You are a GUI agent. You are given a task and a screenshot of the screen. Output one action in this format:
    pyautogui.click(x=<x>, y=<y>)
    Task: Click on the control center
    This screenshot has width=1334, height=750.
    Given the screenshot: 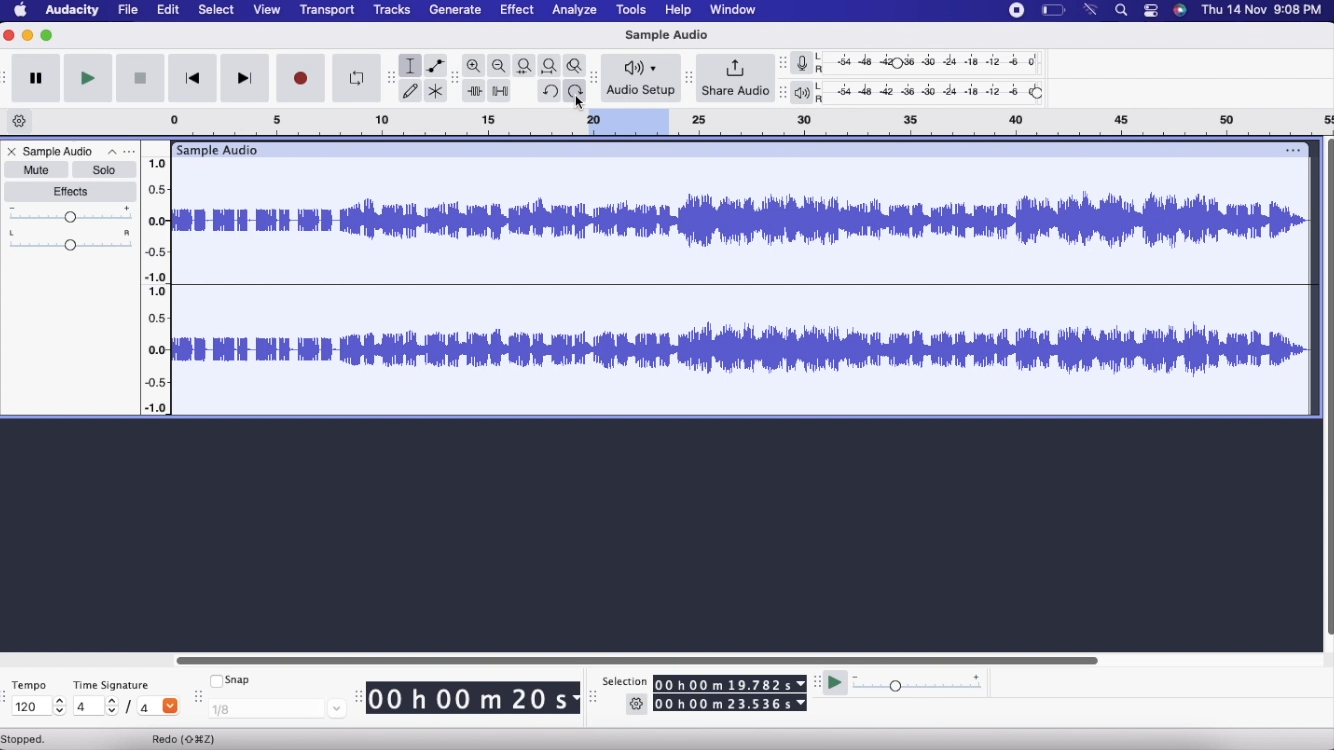 What is the action you would take?
    pyautogui.click(x=1151, y=12)
    